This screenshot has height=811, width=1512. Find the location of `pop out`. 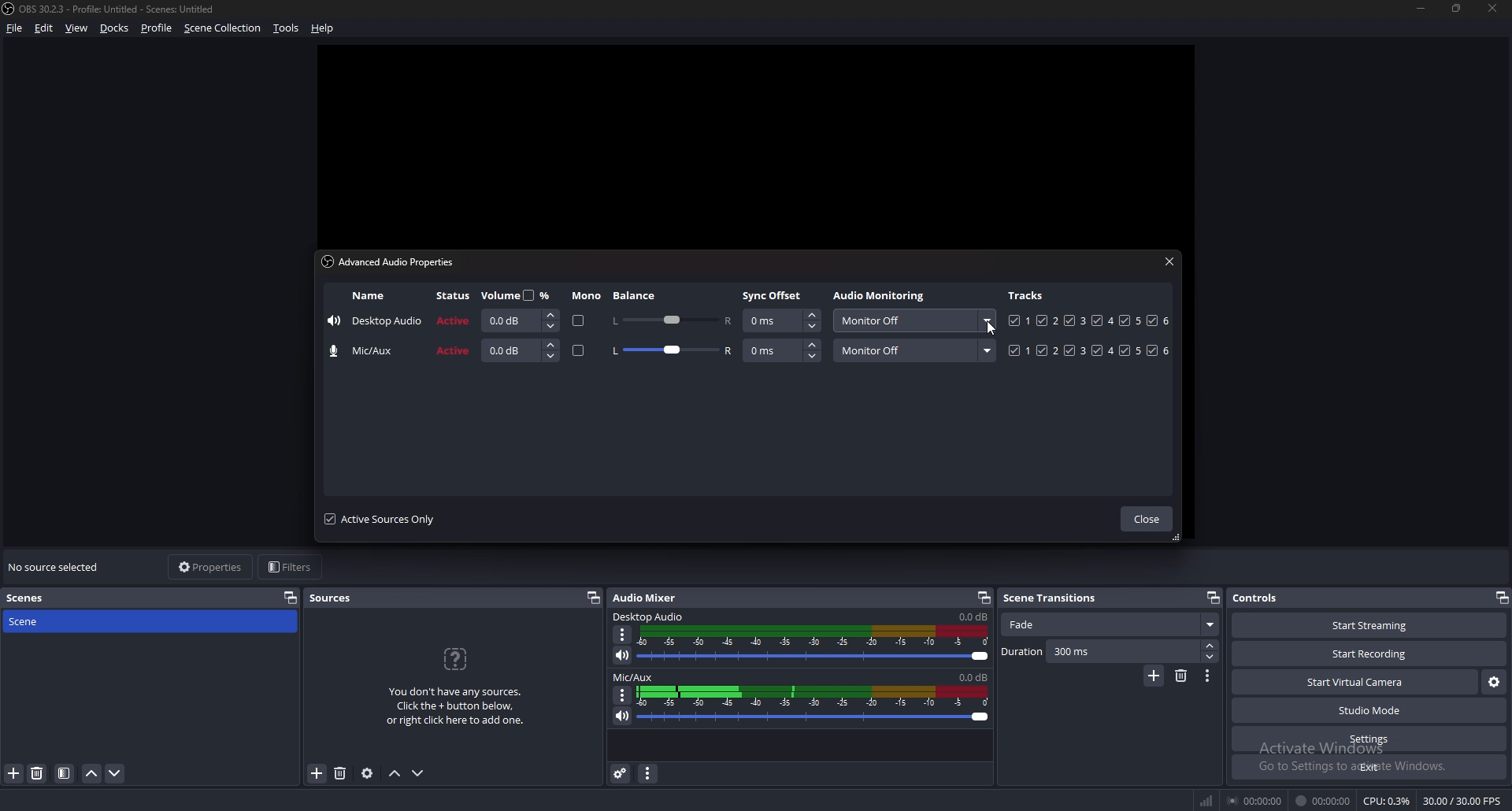

pop out is located at coordinates (1212, 598).